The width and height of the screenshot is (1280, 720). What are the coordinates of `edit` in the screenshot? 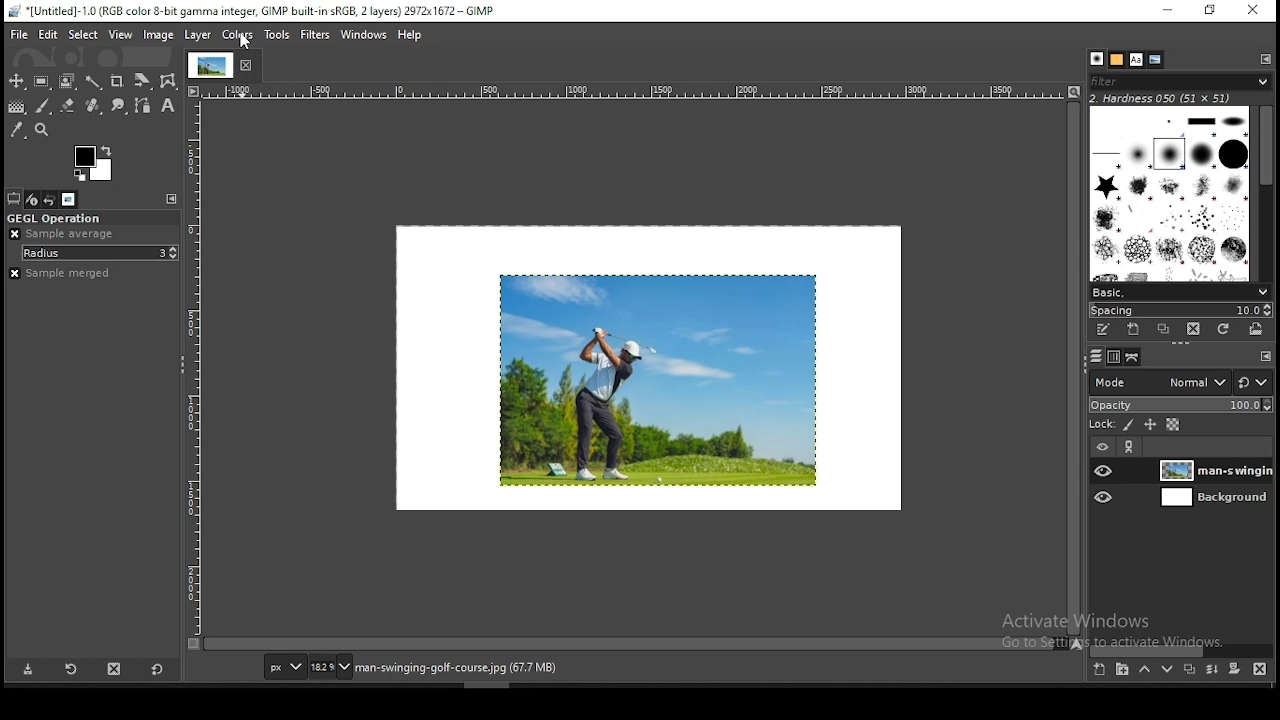 It's located at (48, 34).